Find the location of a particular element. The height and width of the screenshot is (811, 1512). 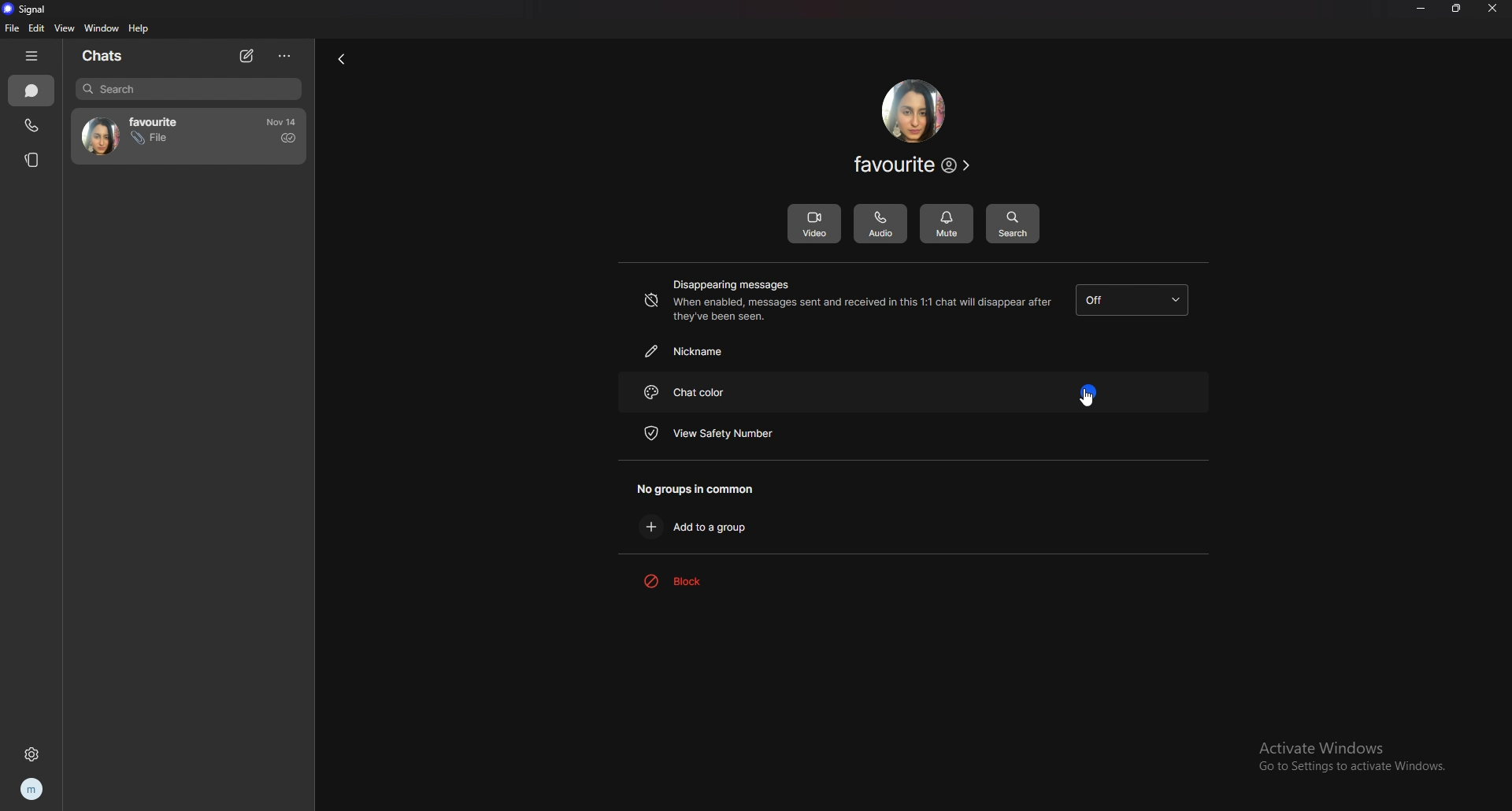

mute is located at coordinates (948, 222).